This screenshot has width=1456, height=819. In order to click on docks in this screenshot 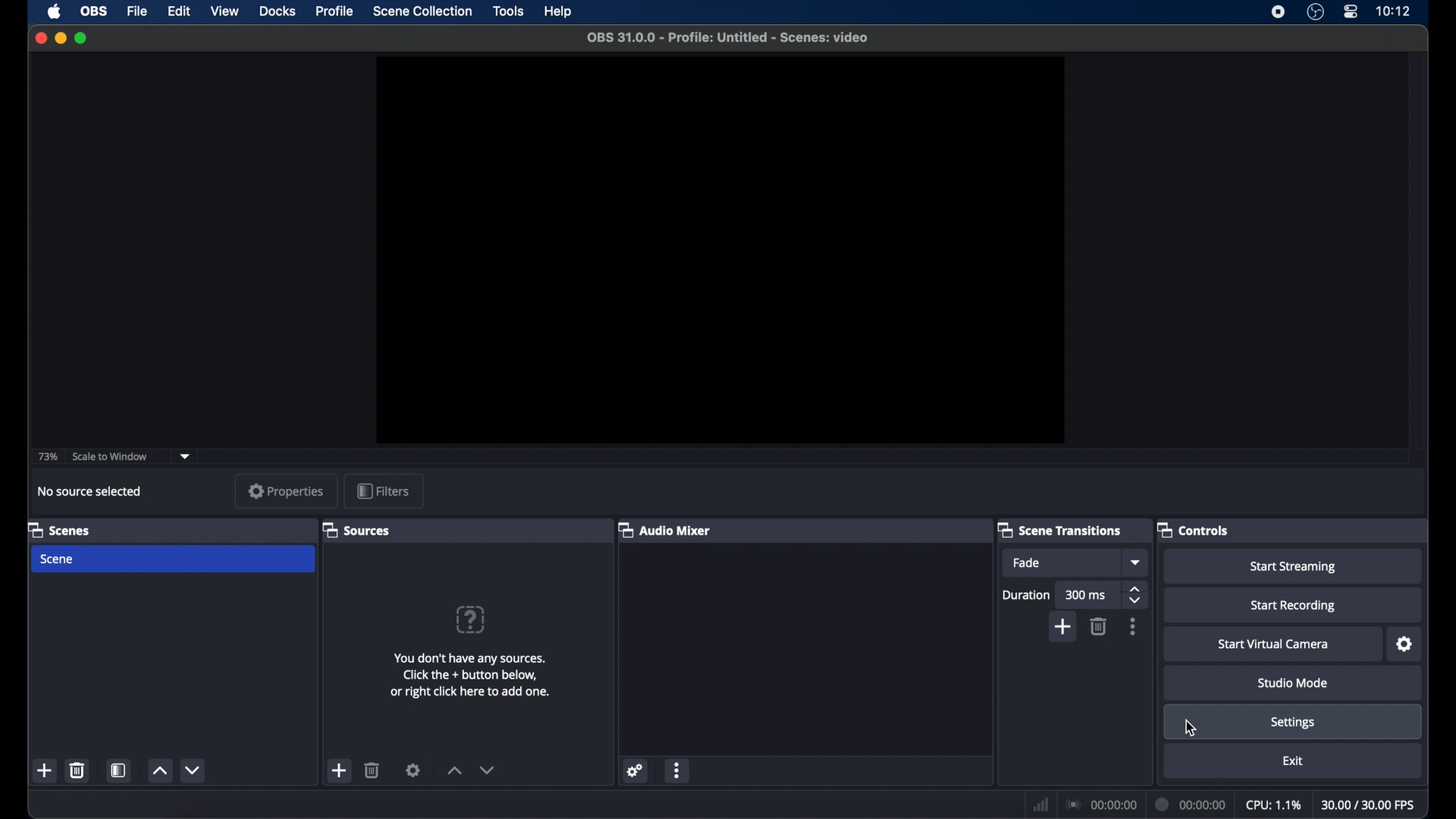, I will do `click(278, 11)`.